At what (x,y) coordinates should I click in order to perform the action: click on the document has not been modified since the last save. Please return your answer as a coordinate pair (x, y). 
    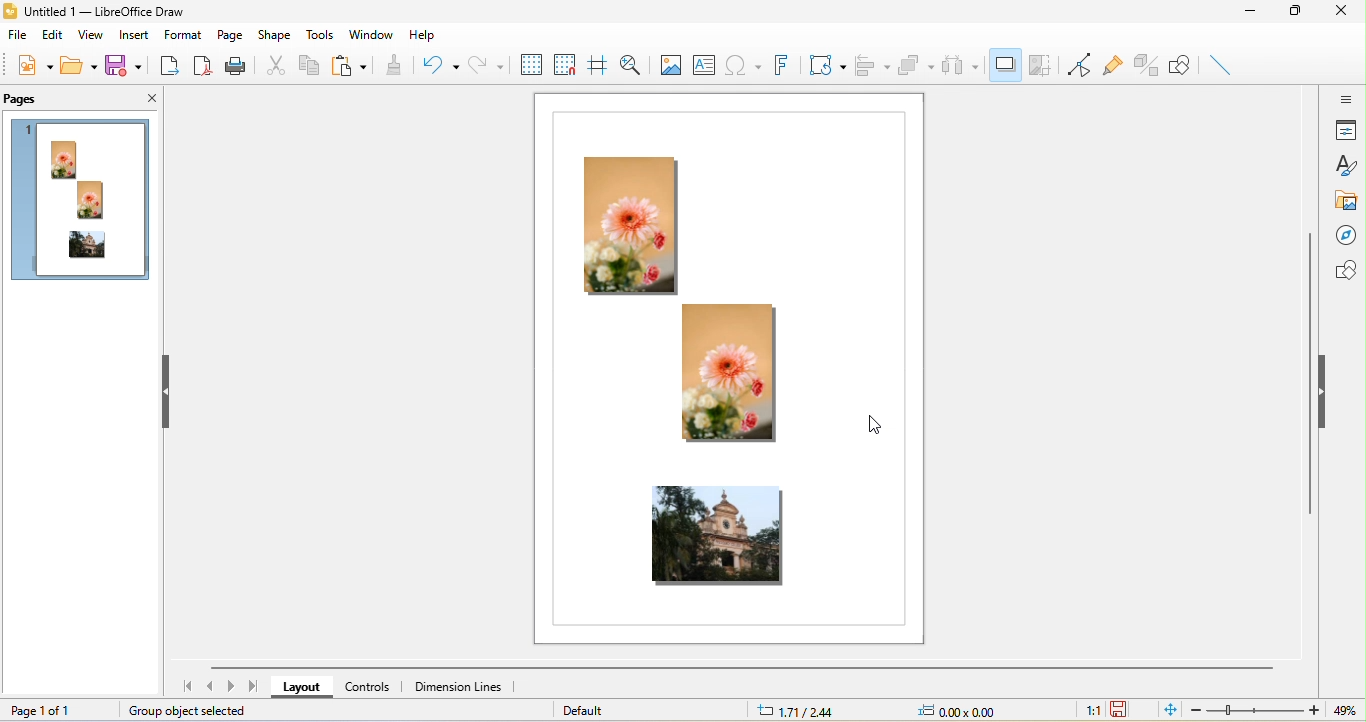
    Looking at the image, I should click on (1126, 709).